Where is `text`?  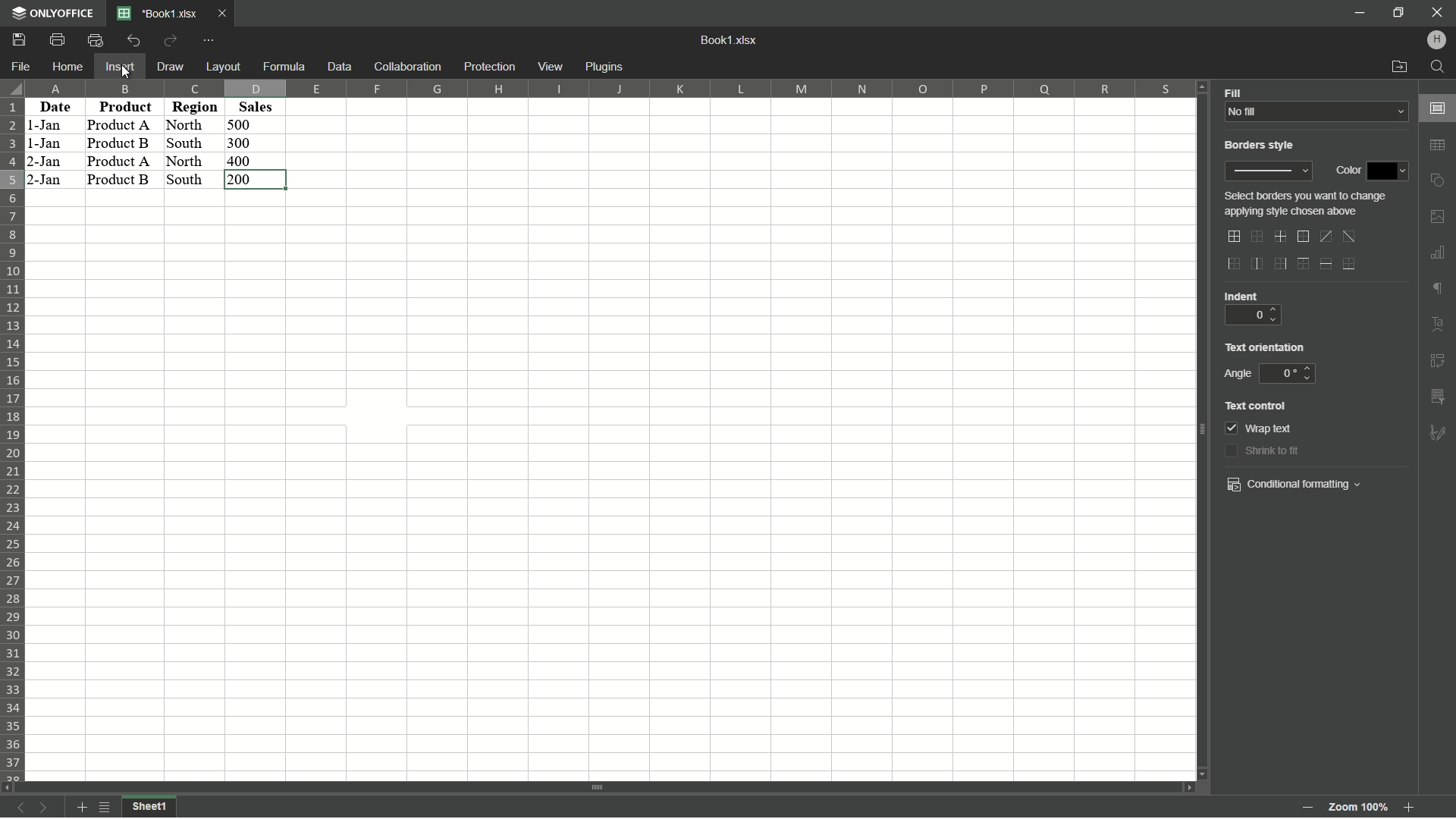
text is located at coordinates (1305, 203).